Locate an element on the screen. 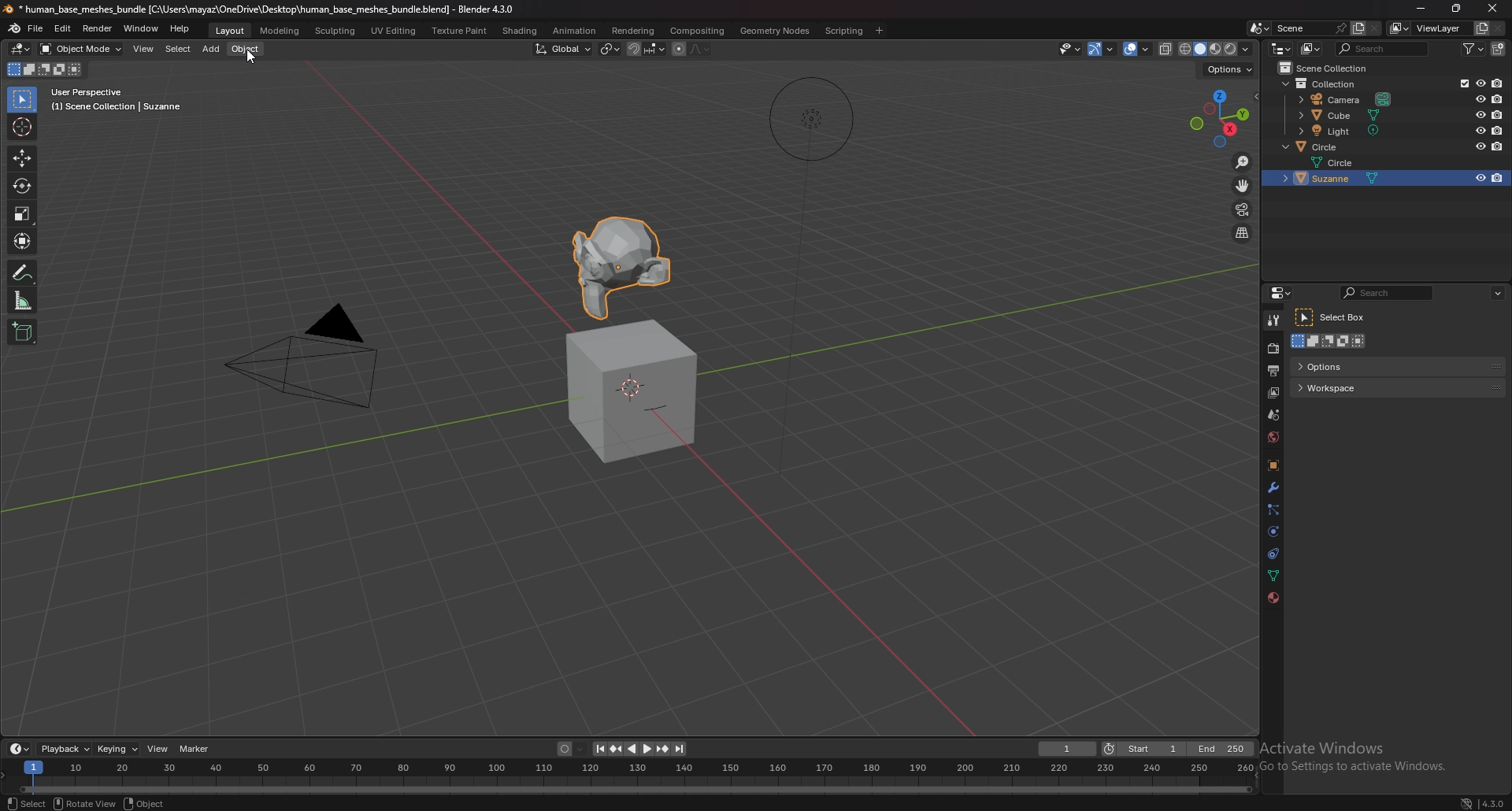 This screenshot has height=811, width=1512. editor type is located at coordinates (1280, 47).